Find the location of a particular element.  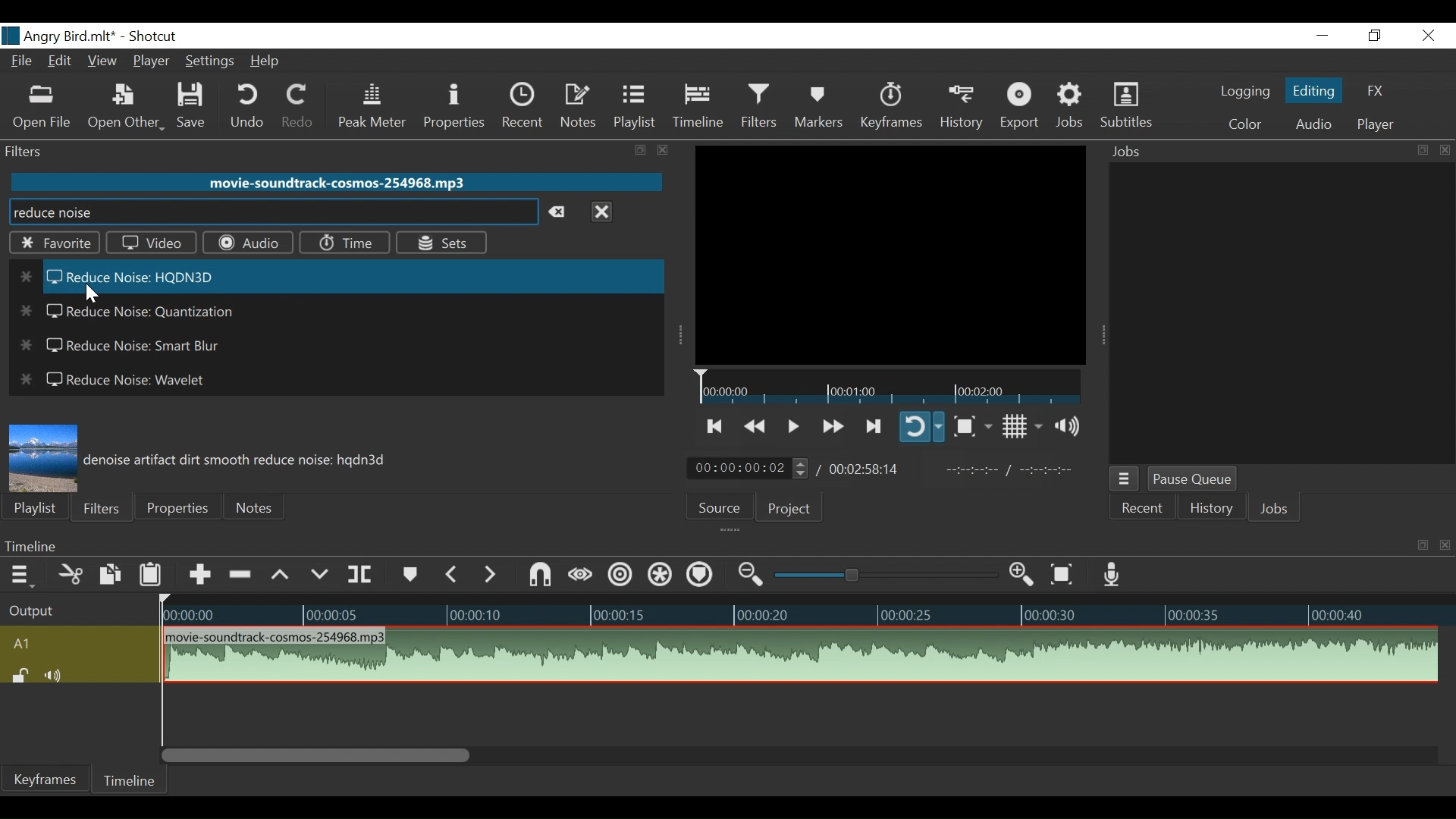

Zoom timeline in is located at coordinates (1025, 575).